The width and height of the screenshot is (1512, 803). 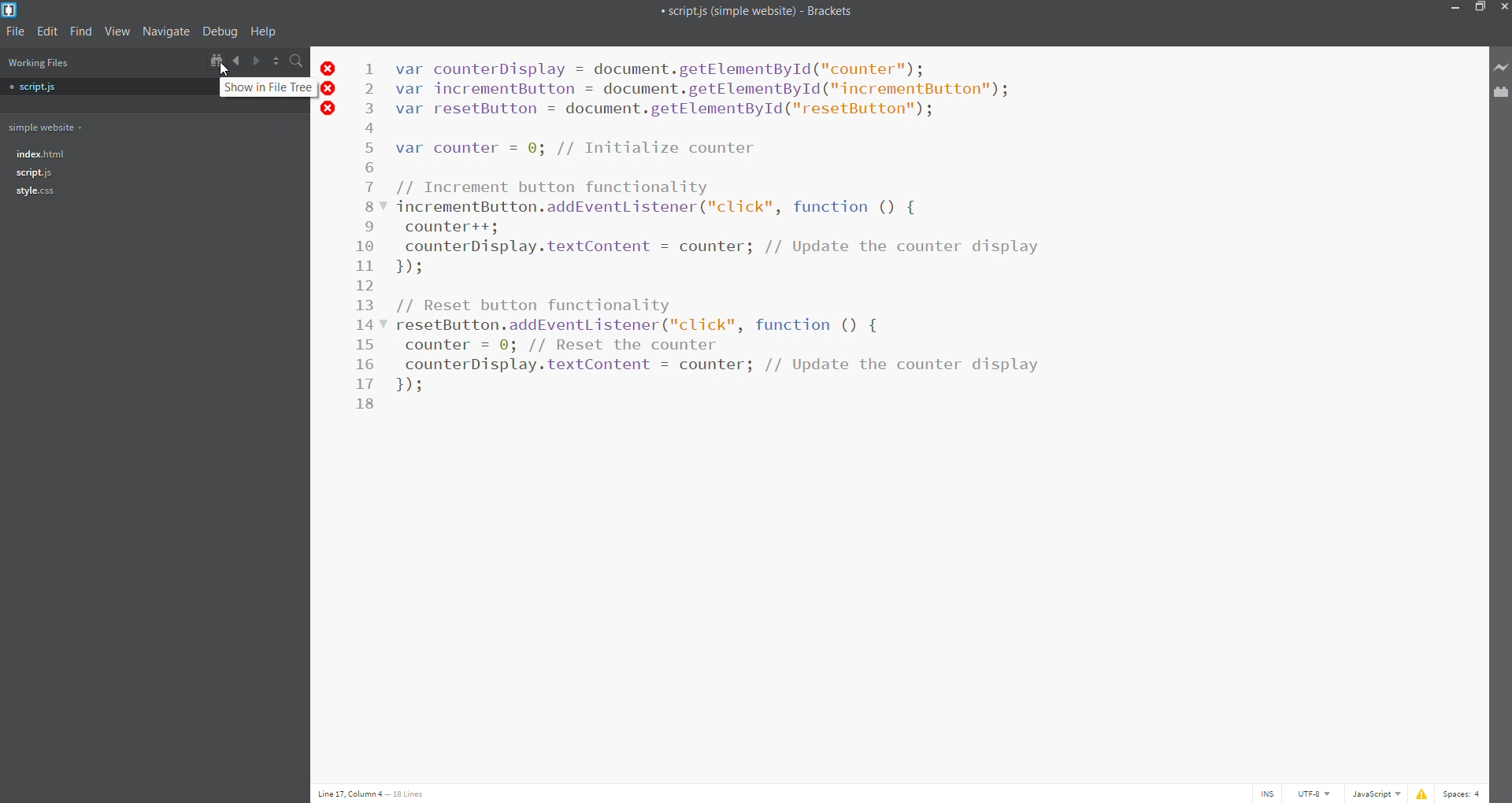 What do you see at coordinates (1269, 794) in the screenshot?
I see `INS` at bounding box center [1269, 794].